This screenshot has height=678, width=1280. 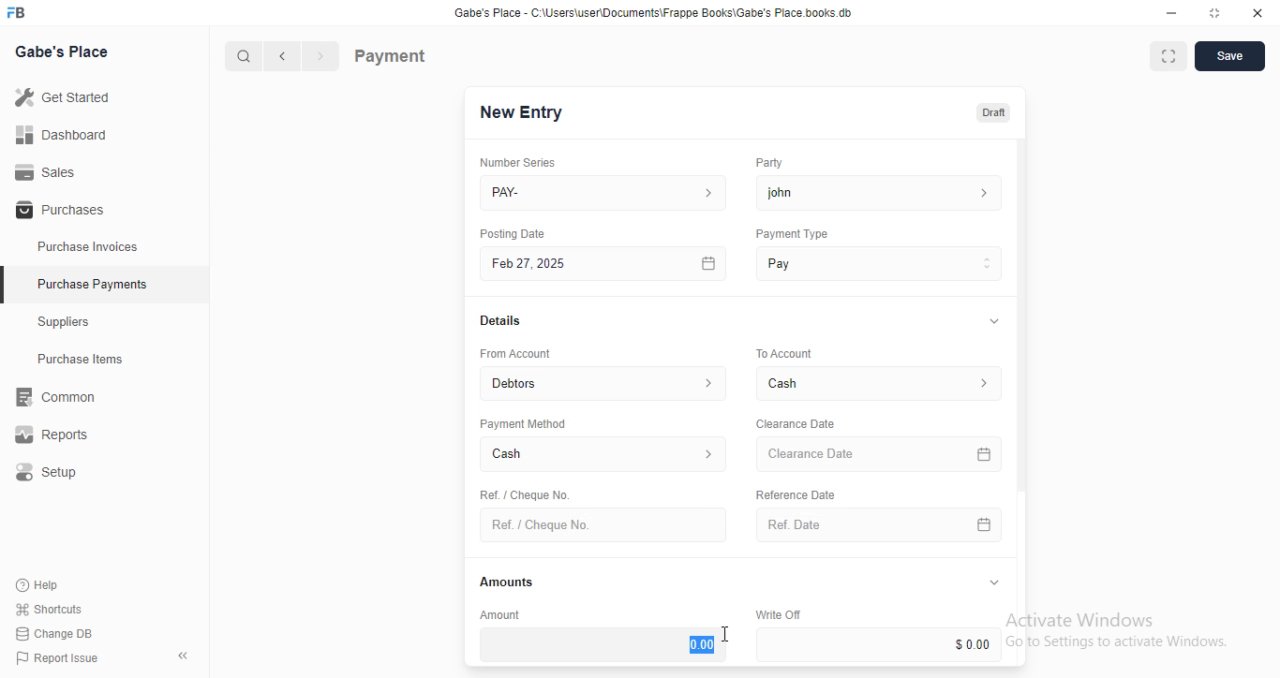 I want to click on Change DB, so click(x=52, y=632).